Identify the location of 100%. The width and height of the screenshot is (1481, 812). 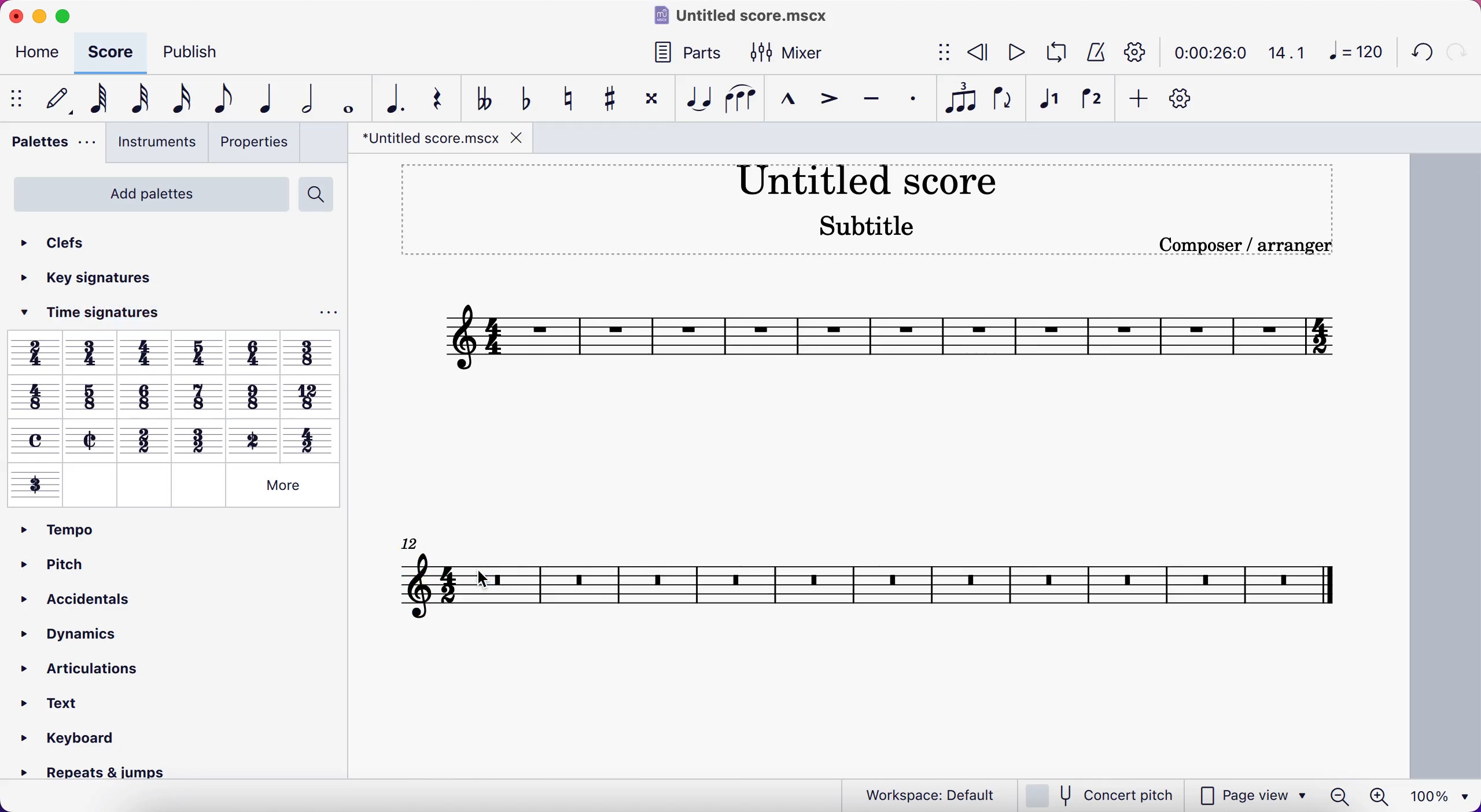
(1438, 796).